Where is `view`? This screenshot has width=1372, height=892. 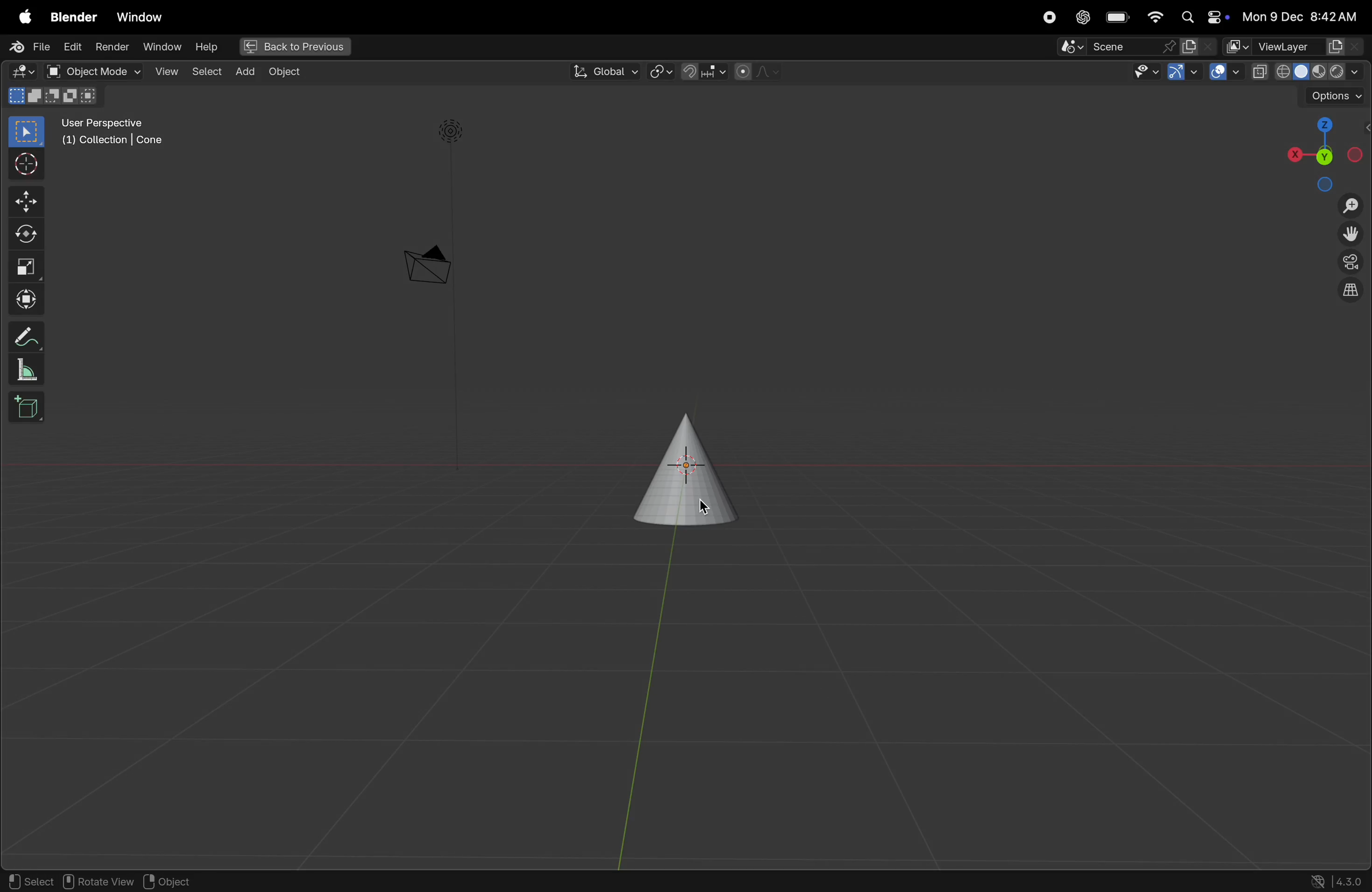 view is located at coordinates (163, 71).